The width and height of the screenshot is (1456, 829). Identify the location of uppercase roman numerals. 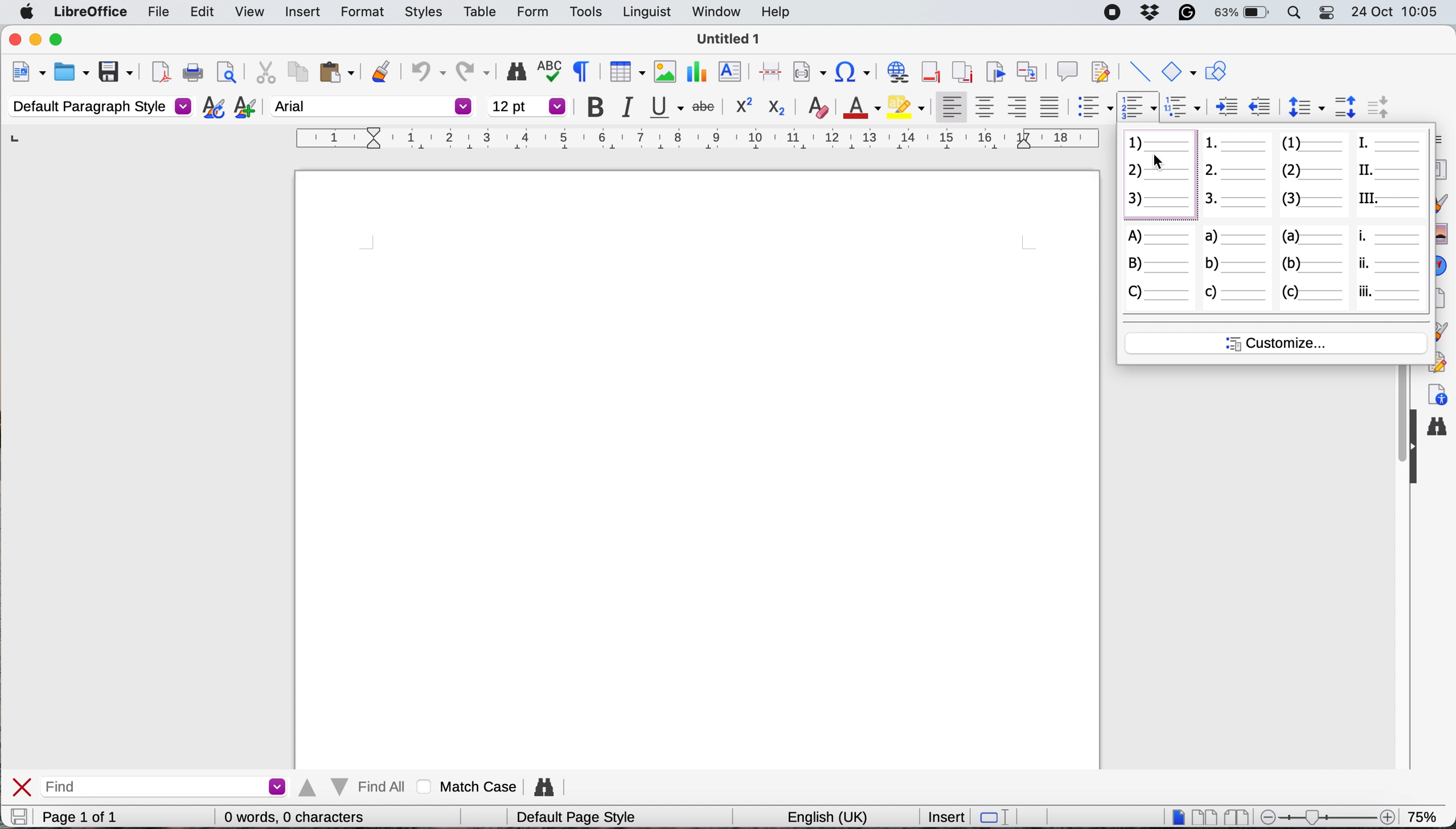
(1392, 173).